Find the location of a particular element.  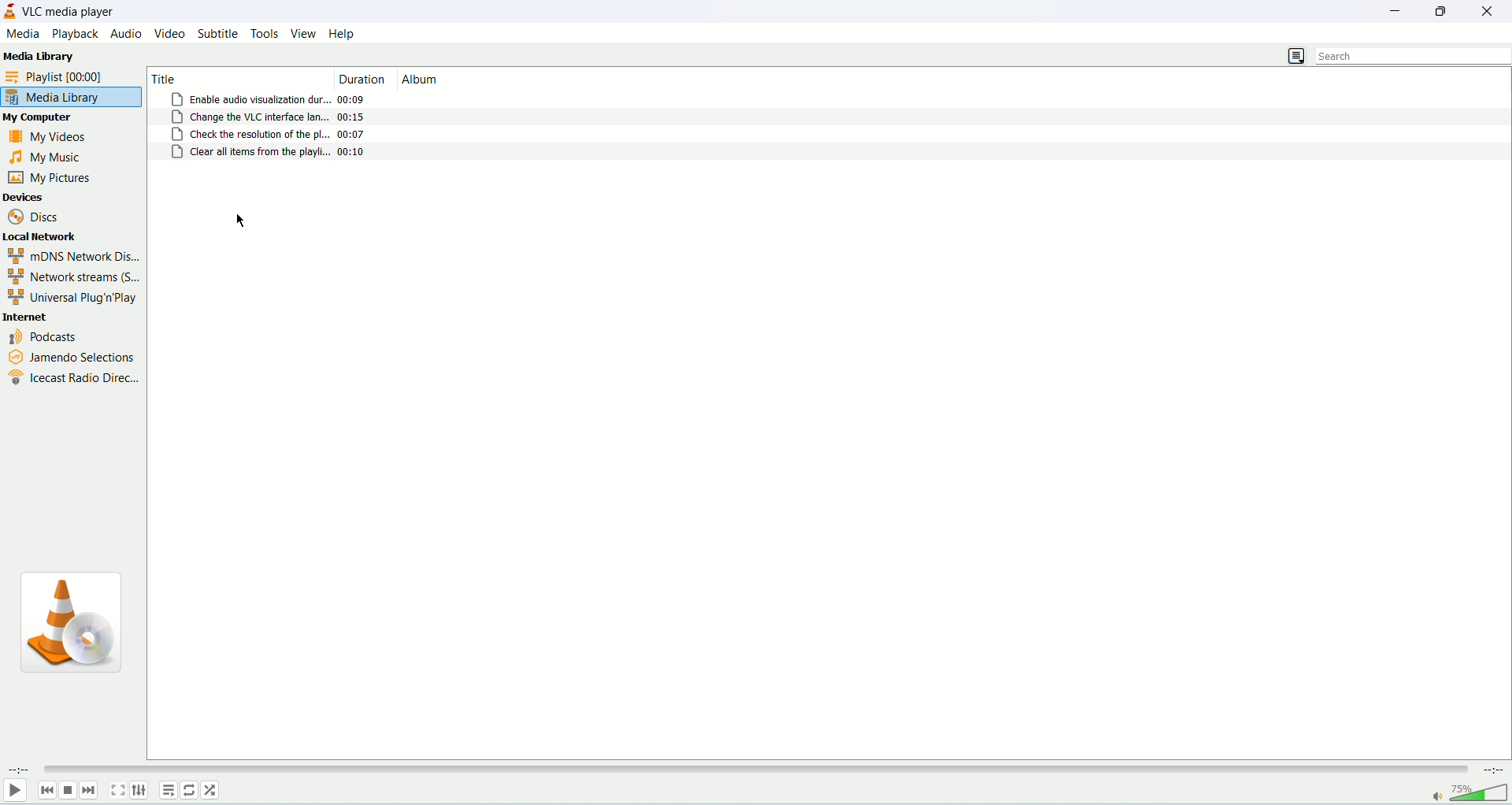

media is located at coordinates (23, 34).